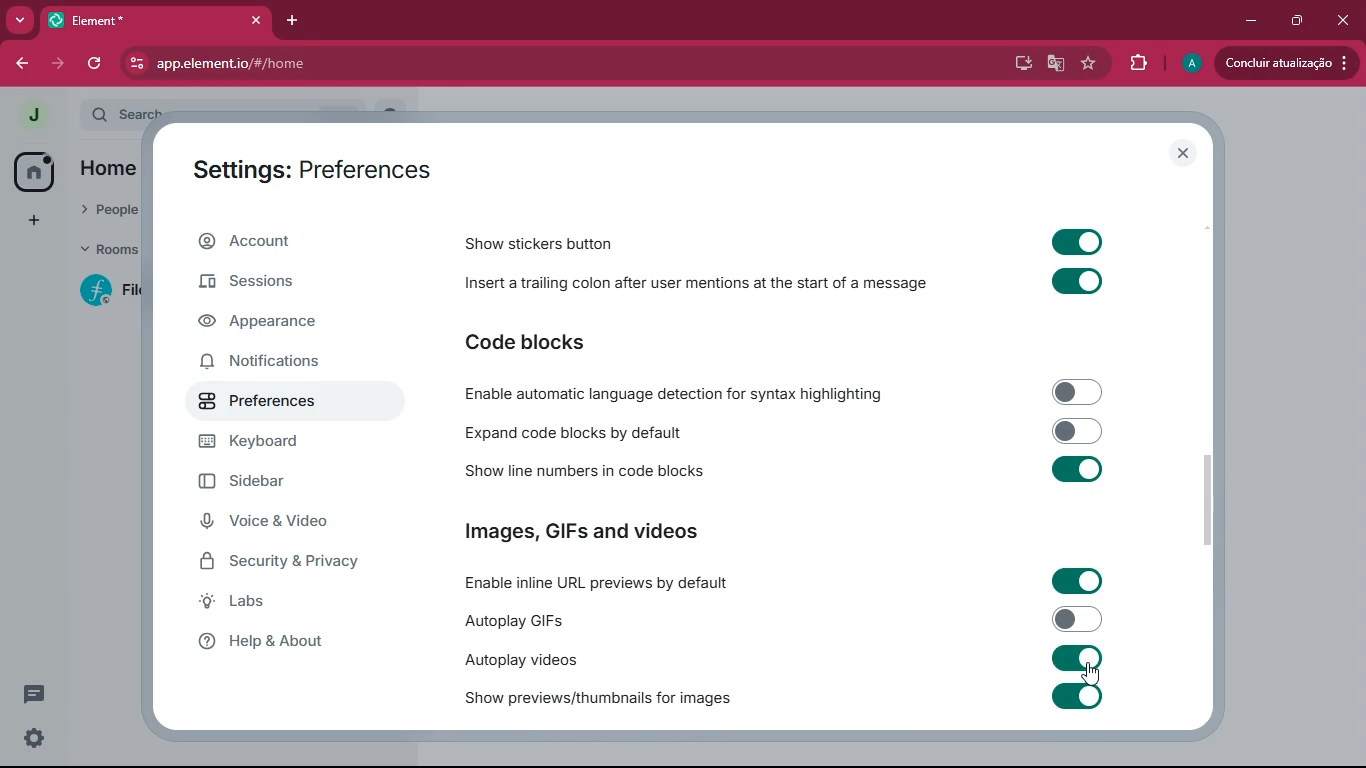 This screenshot has height=768, width=1366. Describe the element at coordinates (34, 693) in the screenshot. I see `message` at that location.